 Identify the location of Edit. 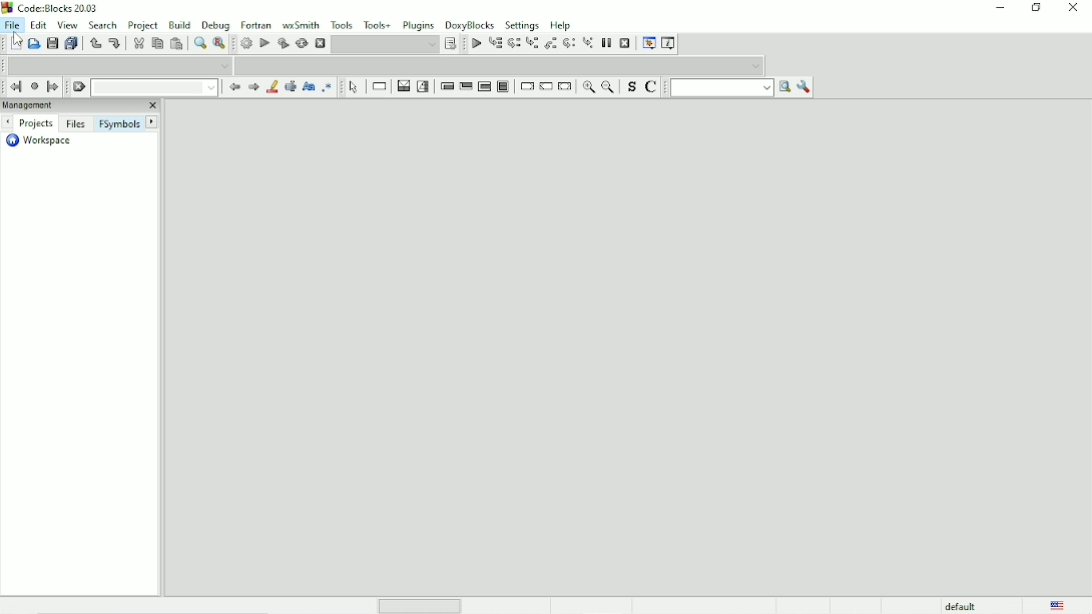
(38, 25).